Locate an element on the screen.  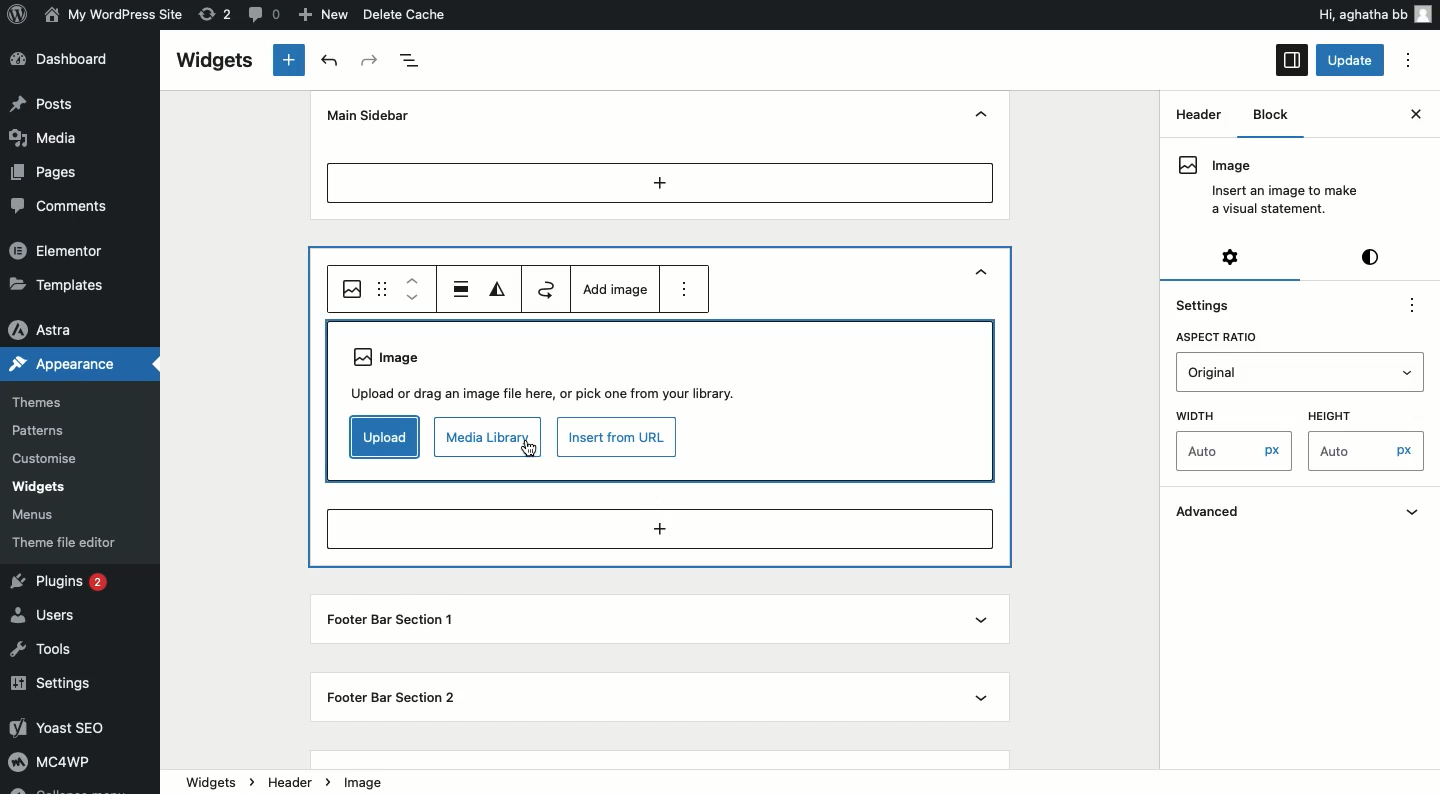
Hide is located at coordinates (981, 116).